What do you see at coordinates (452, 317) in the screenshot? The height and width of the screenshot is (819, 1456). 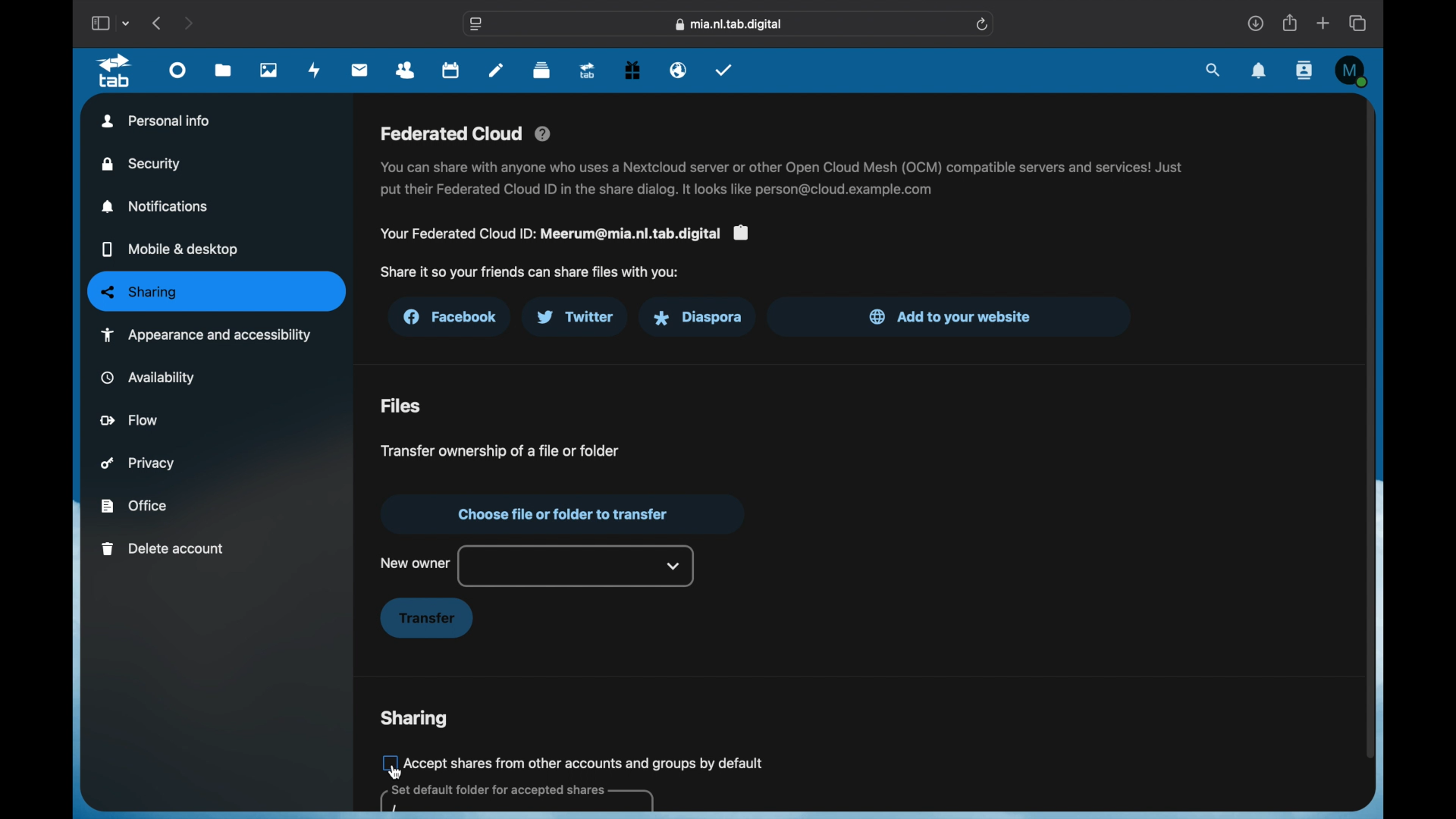 I see `facebook` at bounding box center [452, 317].